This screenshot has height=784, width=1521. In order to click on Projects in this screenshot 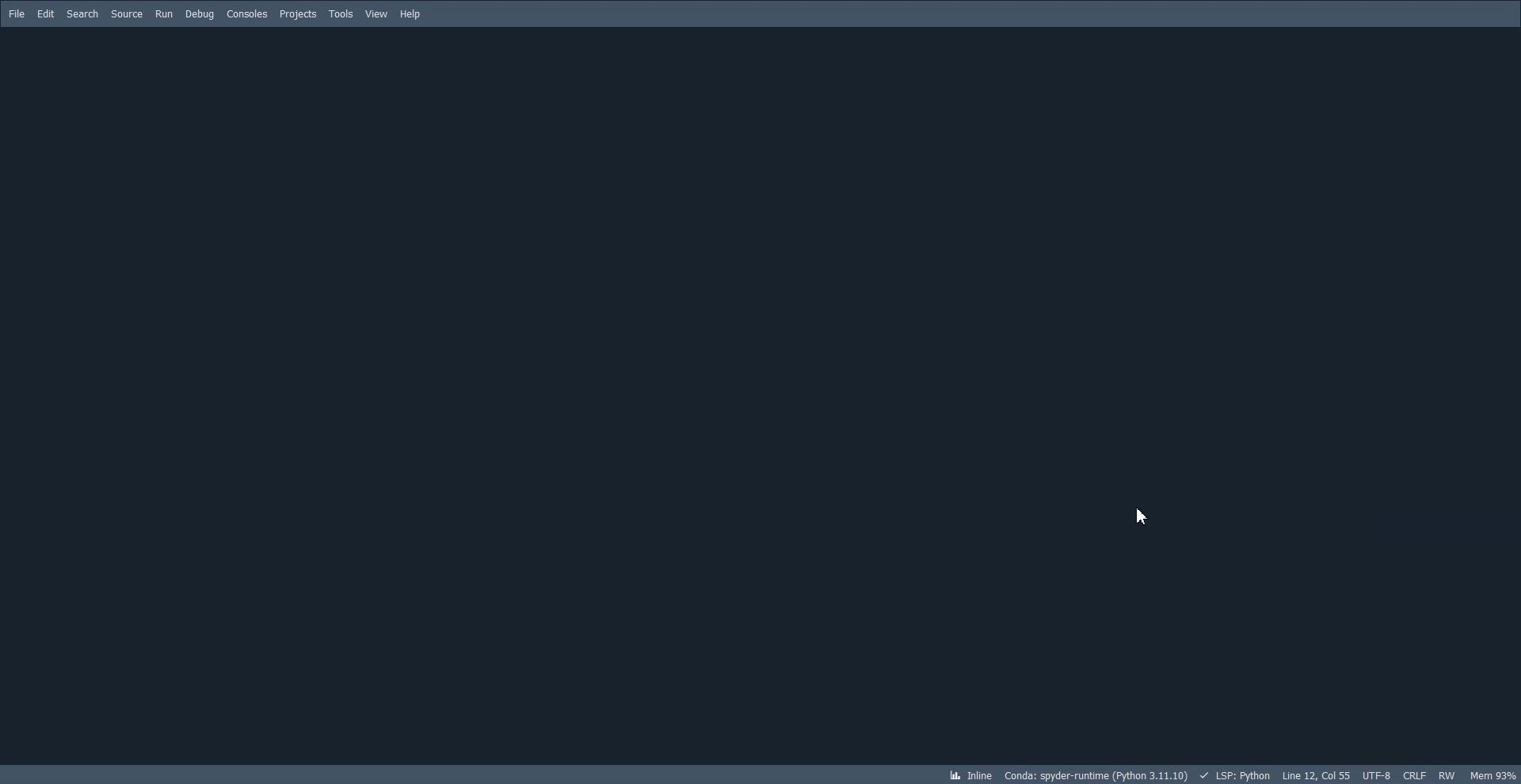, I will do `click(299, 14)`.